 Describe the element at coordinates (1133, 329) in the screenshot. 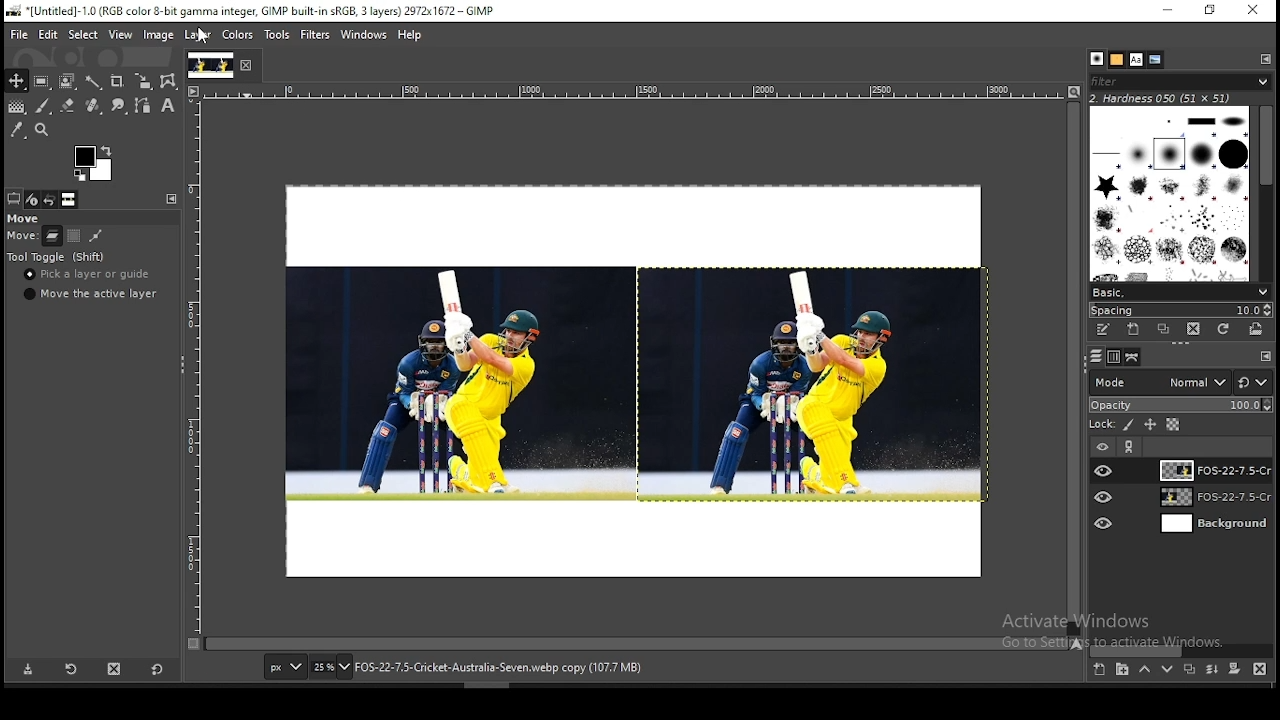

I see `create a new brush` at that location.